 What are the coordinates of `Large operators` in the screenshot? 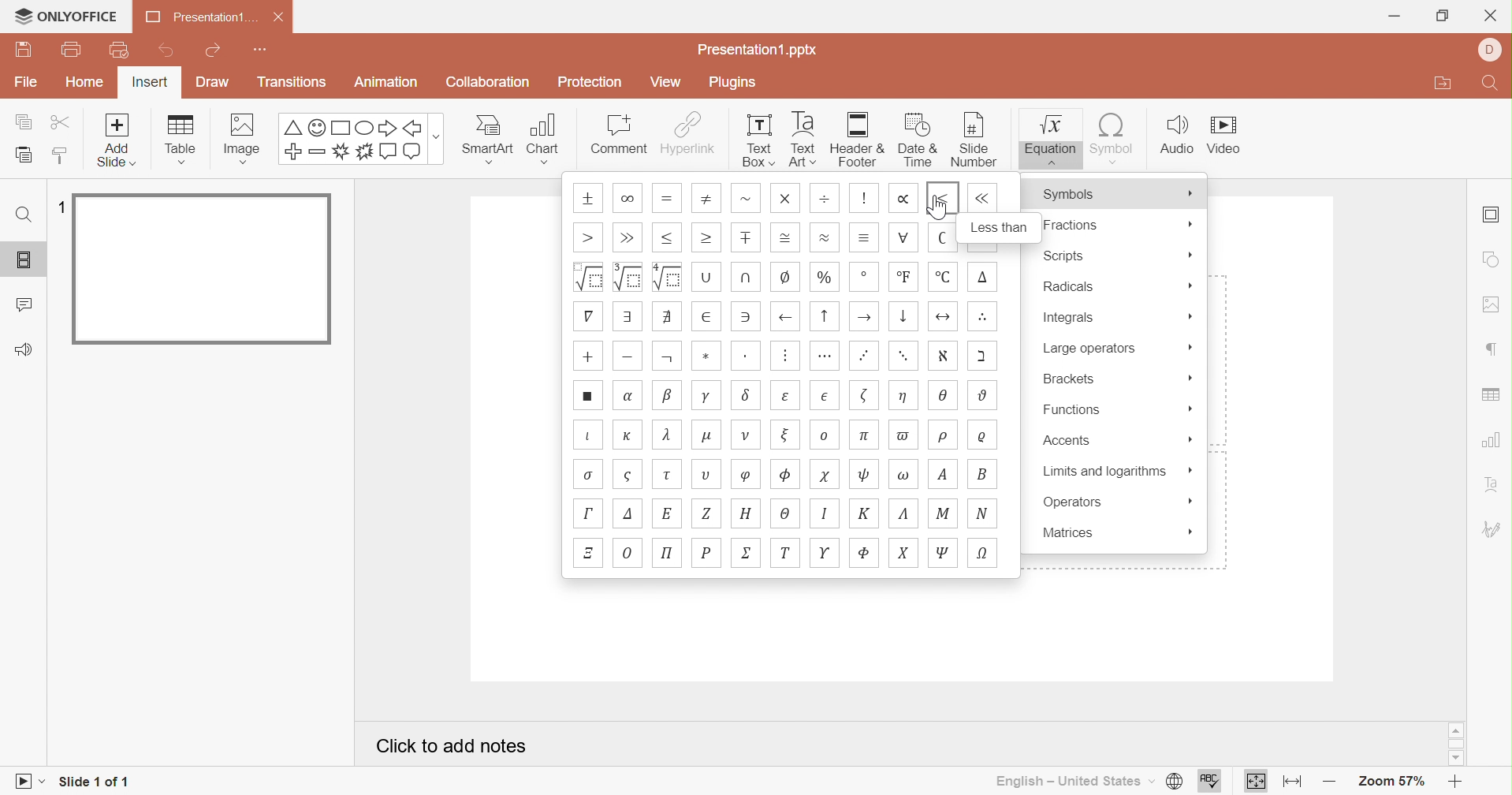 It's located at (1113, 345).